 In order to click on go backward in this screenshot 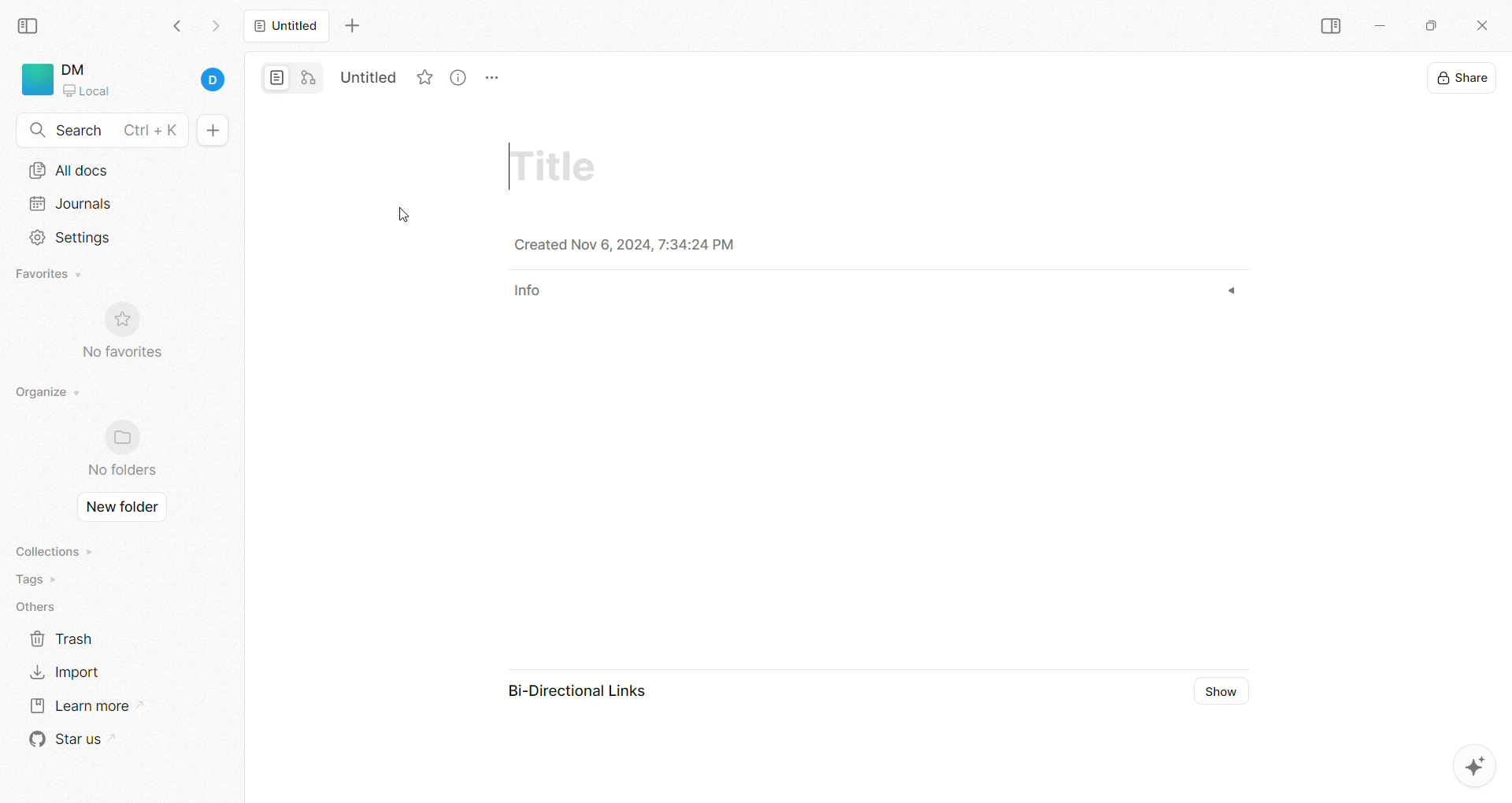, I will do `click(177, 25)`.